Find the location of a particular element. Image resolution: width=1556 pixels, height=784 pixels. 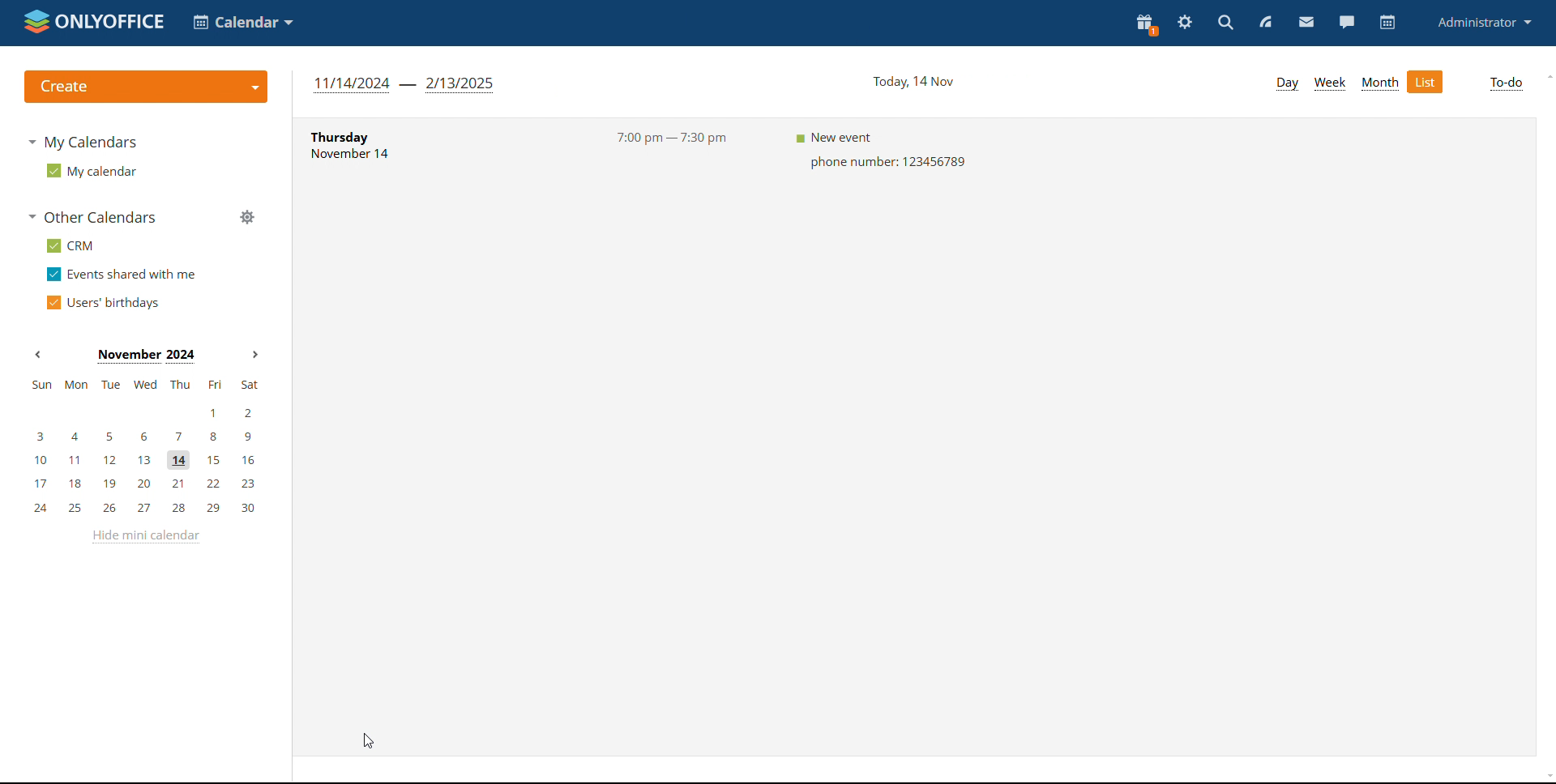

week is located at coordinates (1331, 84).